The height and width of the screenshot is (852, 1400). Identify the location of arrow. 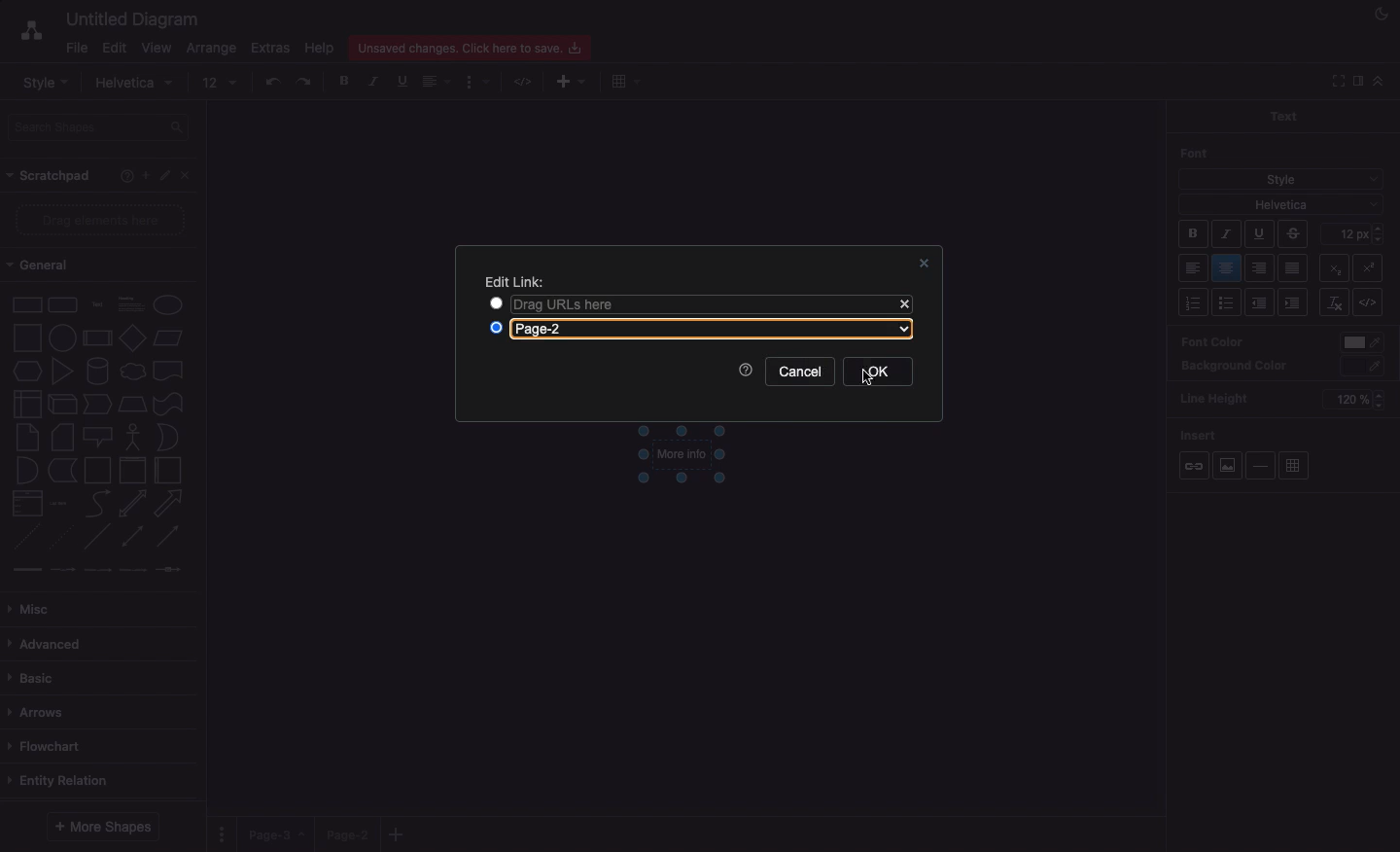
(169, 504).